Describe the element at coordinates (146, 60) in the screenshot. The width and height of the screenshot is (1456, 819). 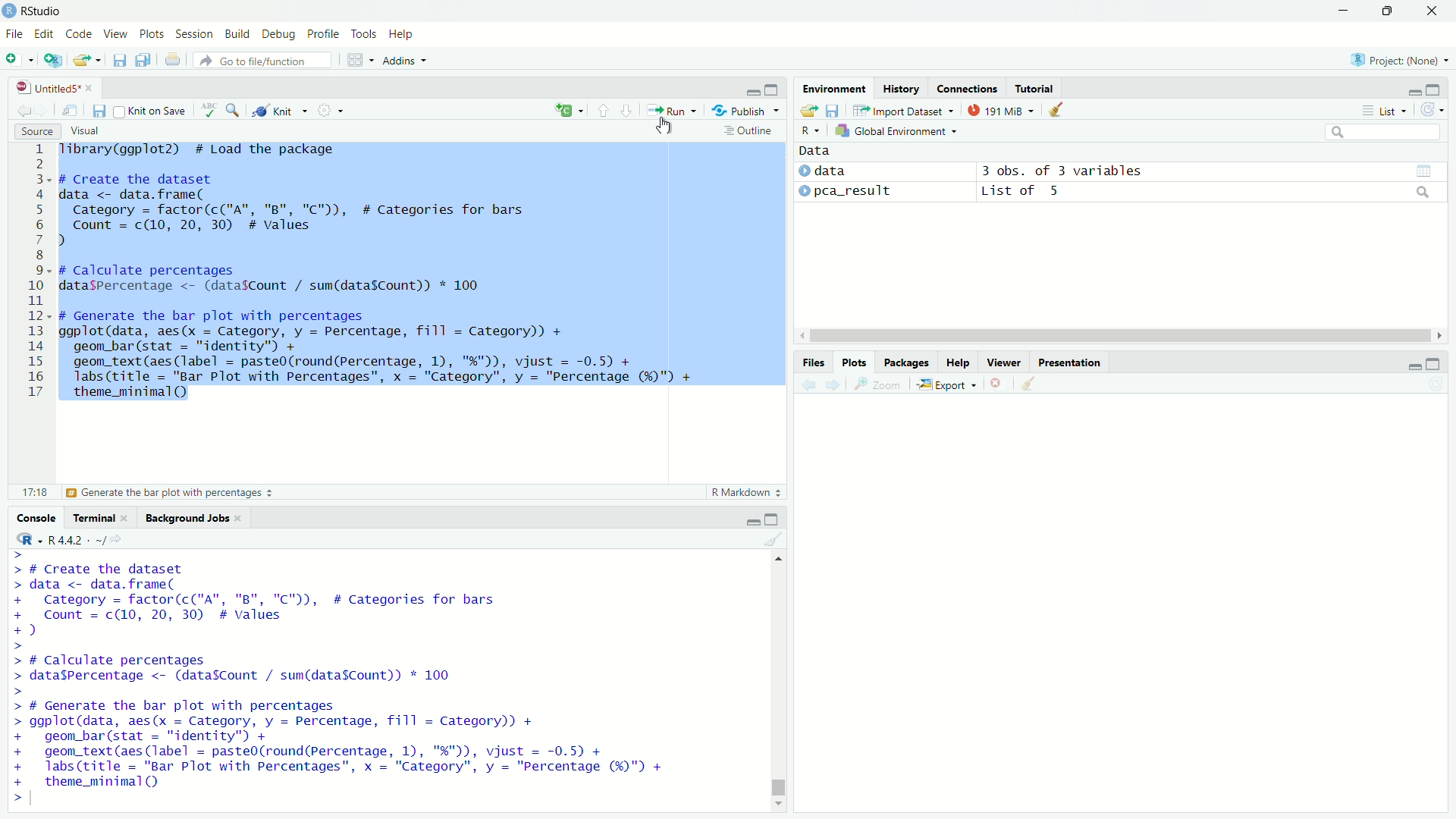
I see `save all` at that location.